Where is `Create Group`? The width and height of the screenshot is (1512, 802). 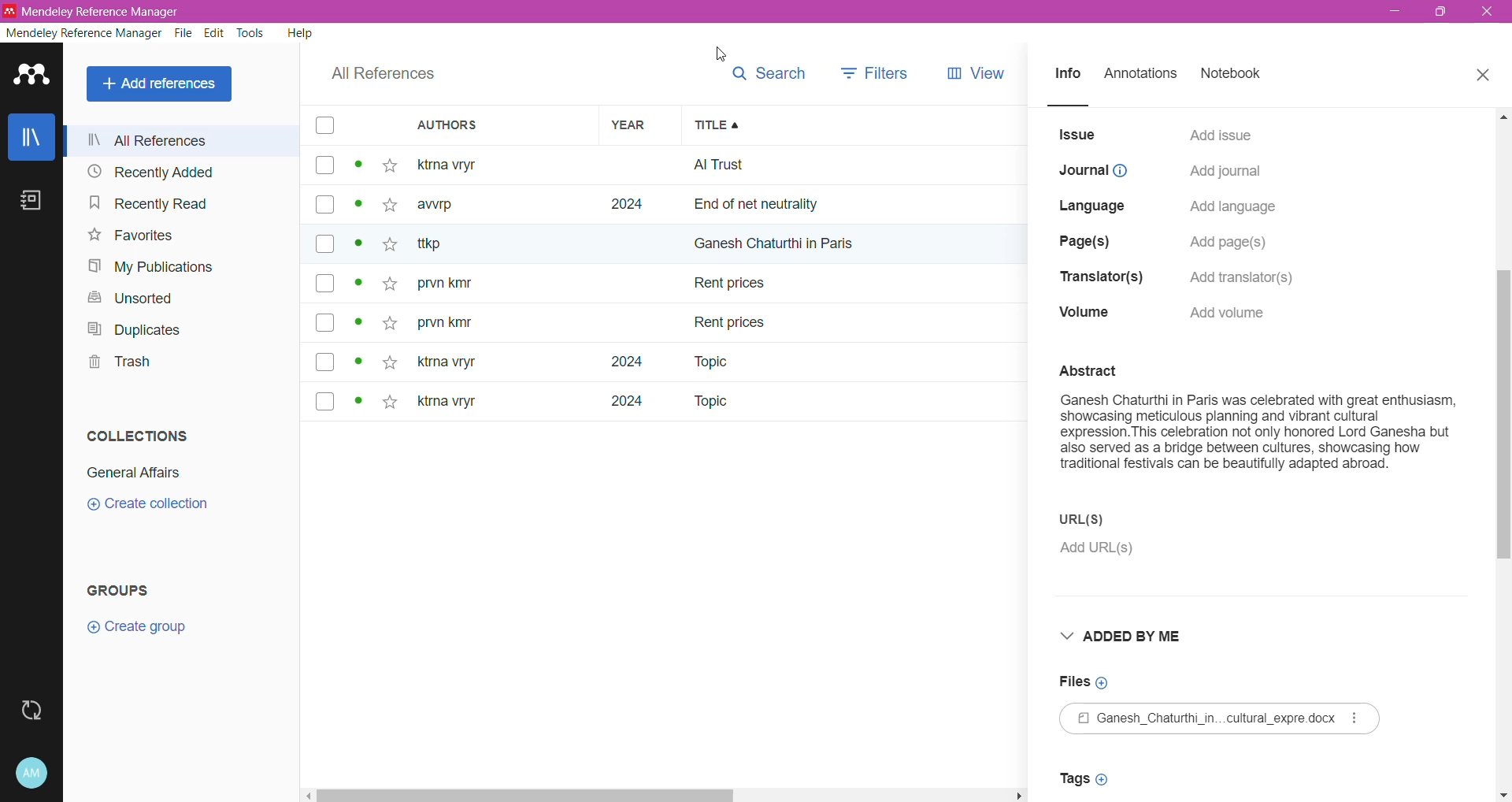
Create Group is located at coordinates (145, 628).